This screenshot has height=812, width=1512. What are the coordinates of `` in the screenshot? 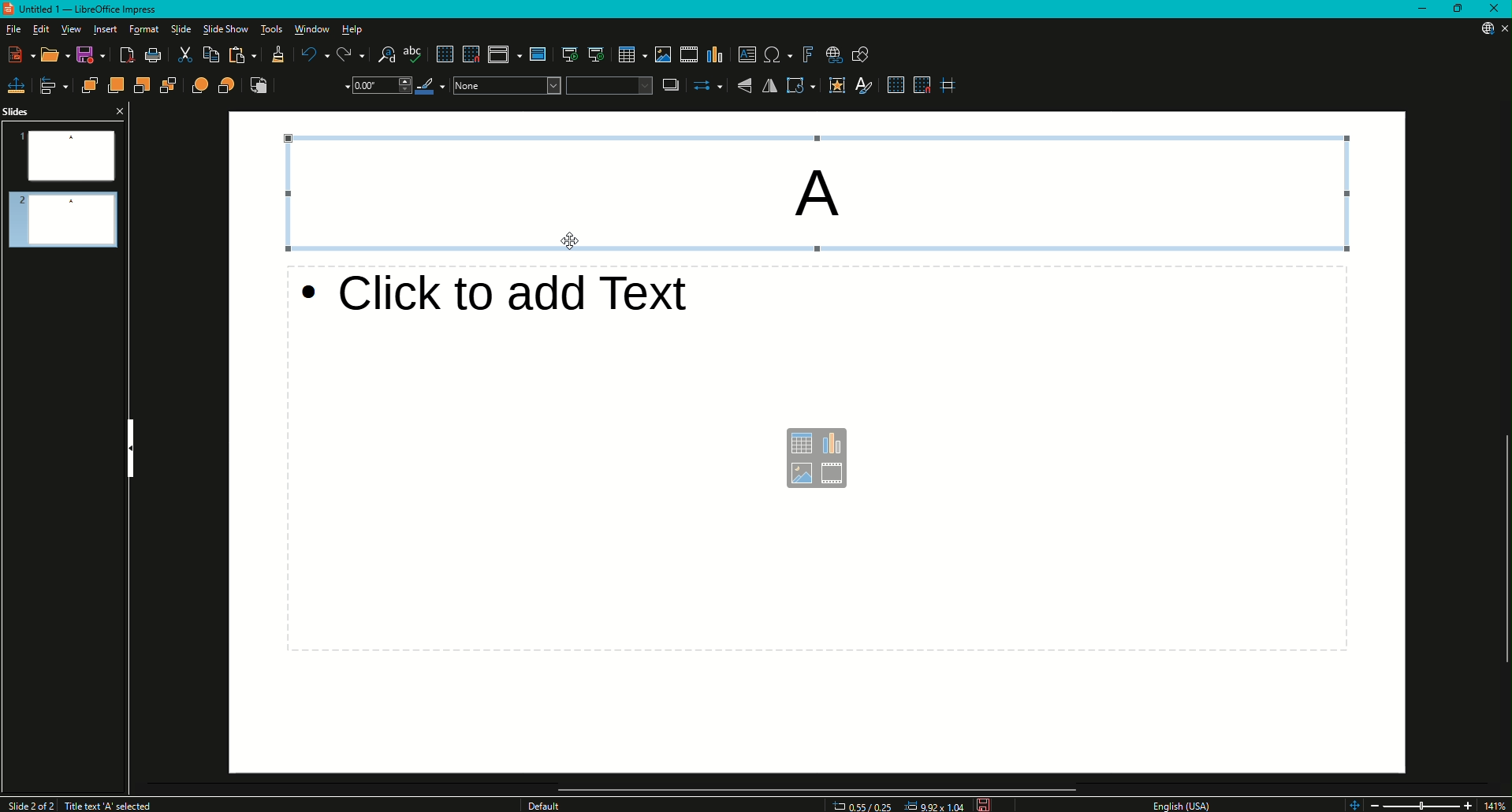 It's located at (547, 806).